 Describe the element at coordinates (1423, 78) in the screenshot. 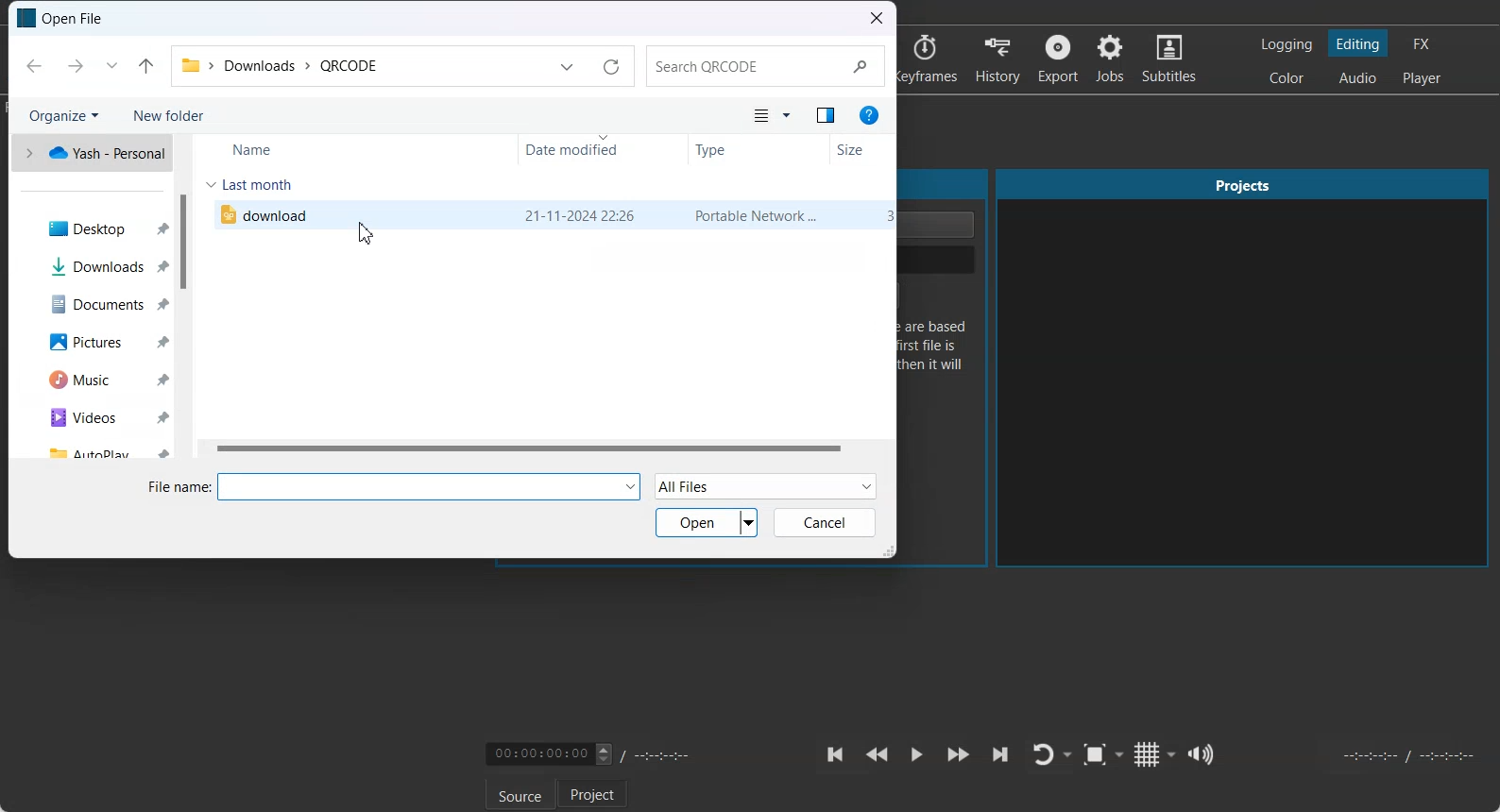

I see `Switching to the Player only layout` at that location.